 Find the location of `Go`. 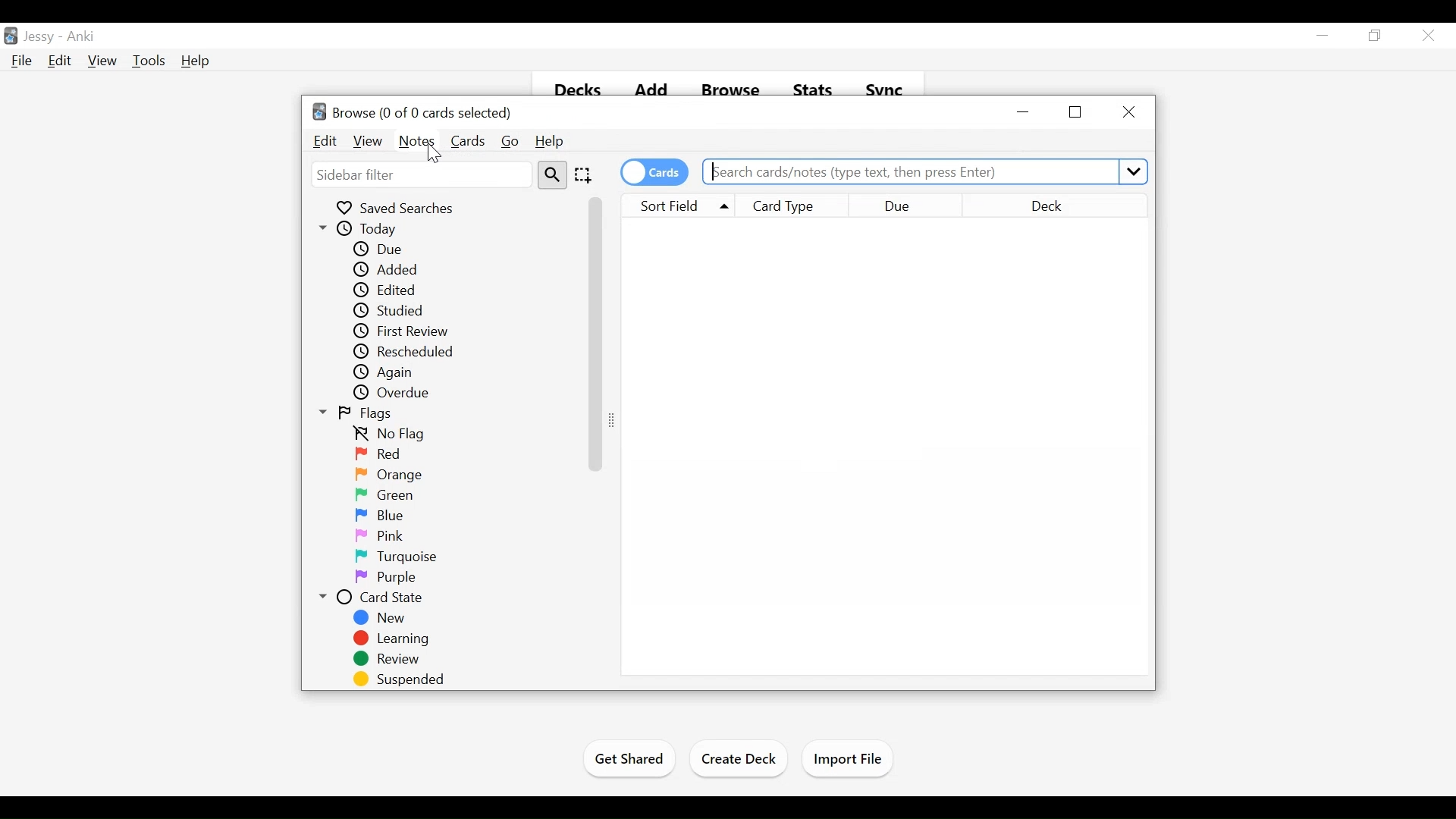

Go is located at coordinates (510, 142).